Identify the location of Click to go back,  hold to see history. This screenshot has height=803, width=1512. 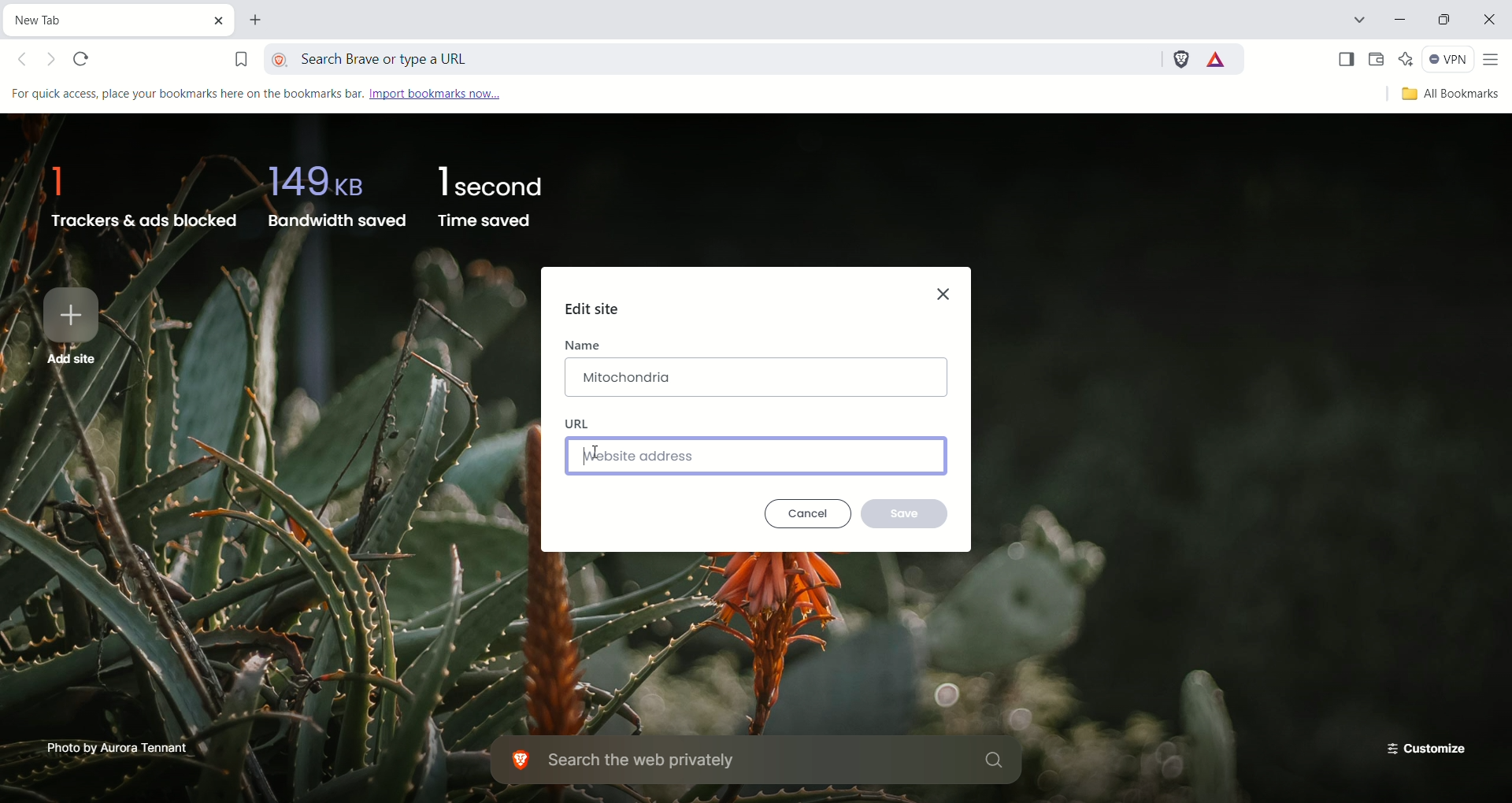
(28, 61).